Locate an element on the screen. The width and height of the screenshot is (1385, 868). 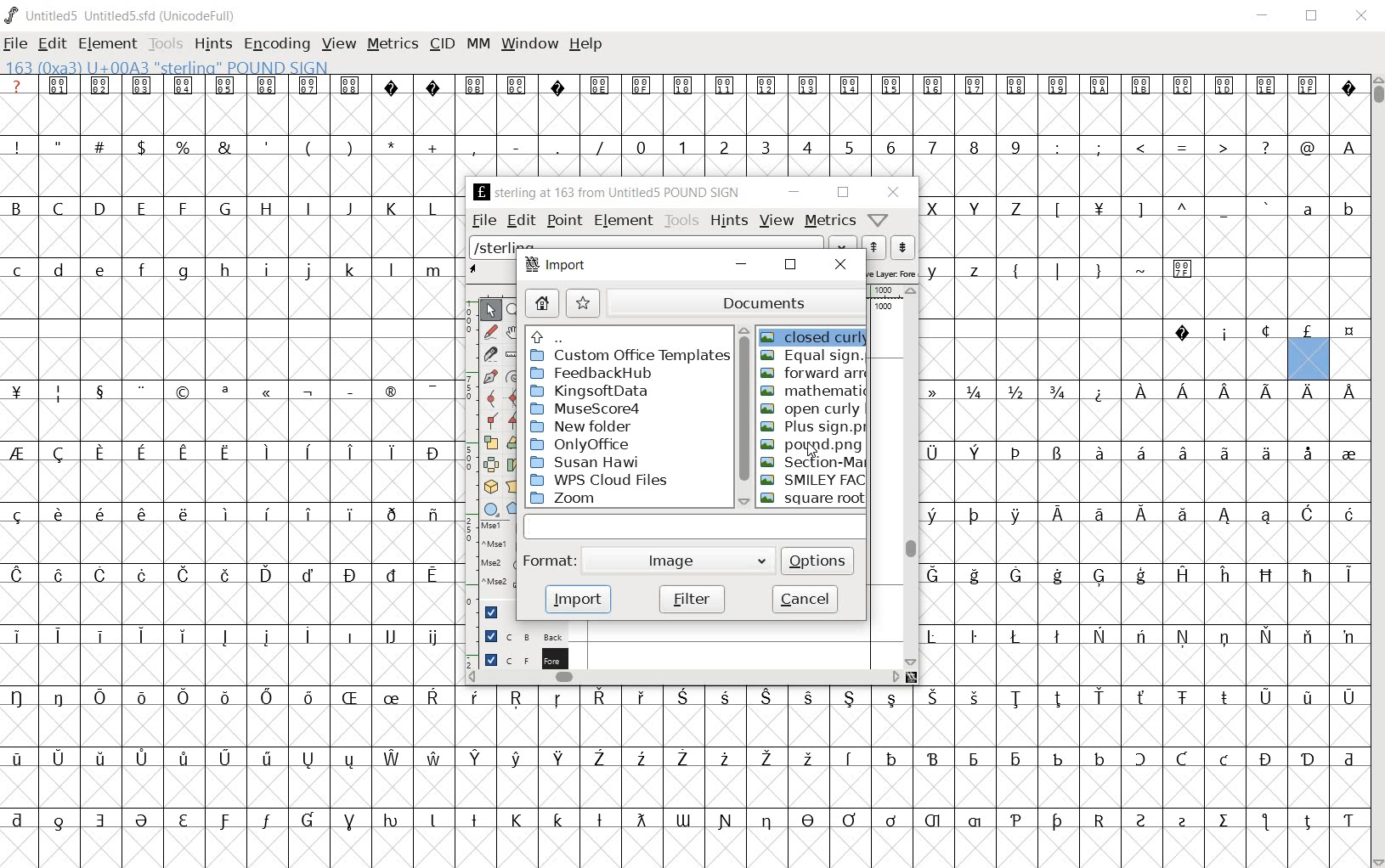
Symbol is located at coordinates (1057, 454).